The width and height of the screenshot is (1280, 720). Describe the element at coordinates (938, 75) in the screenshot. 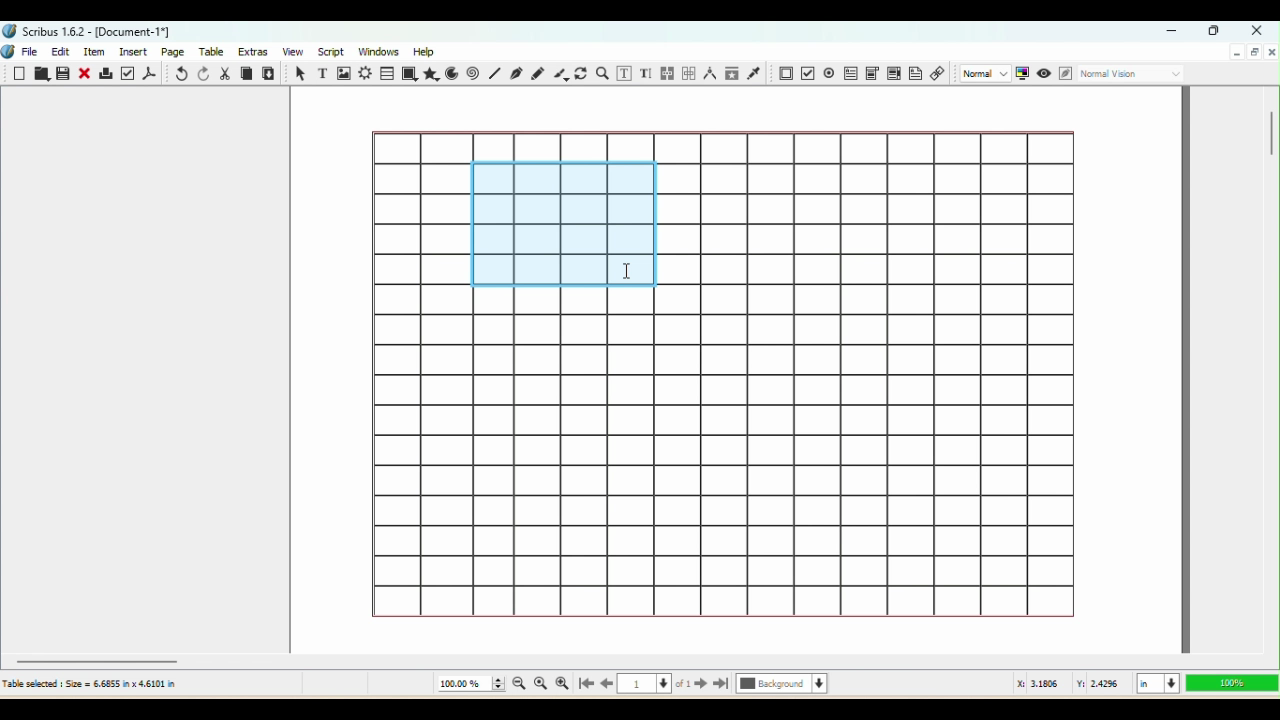

I see `Link annotation` at that location.